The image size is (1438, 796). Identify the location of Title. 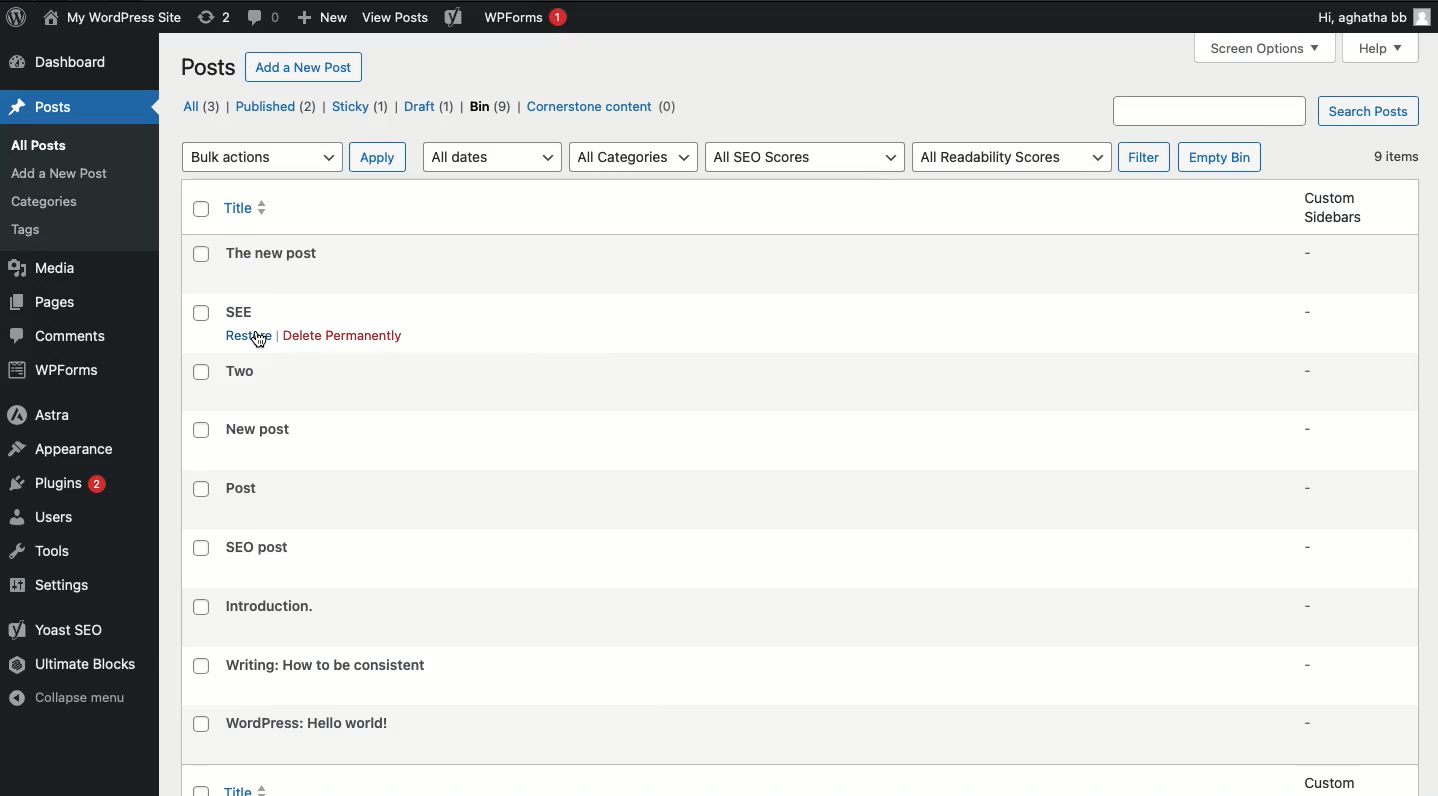
(241, 370).